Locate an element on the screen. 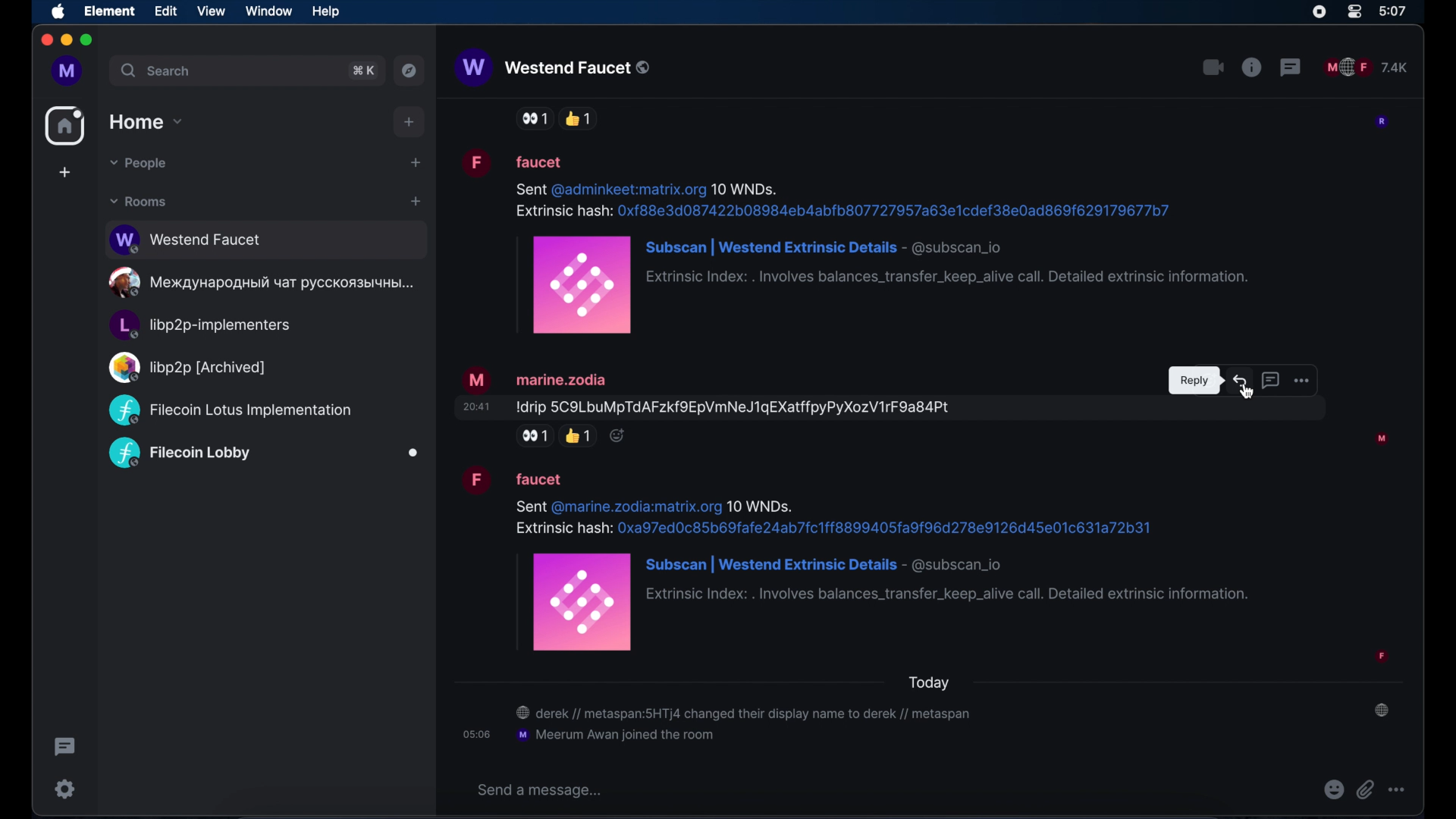 This screenshot has height=819, width=1456.  is located at coordinates (703, 389).